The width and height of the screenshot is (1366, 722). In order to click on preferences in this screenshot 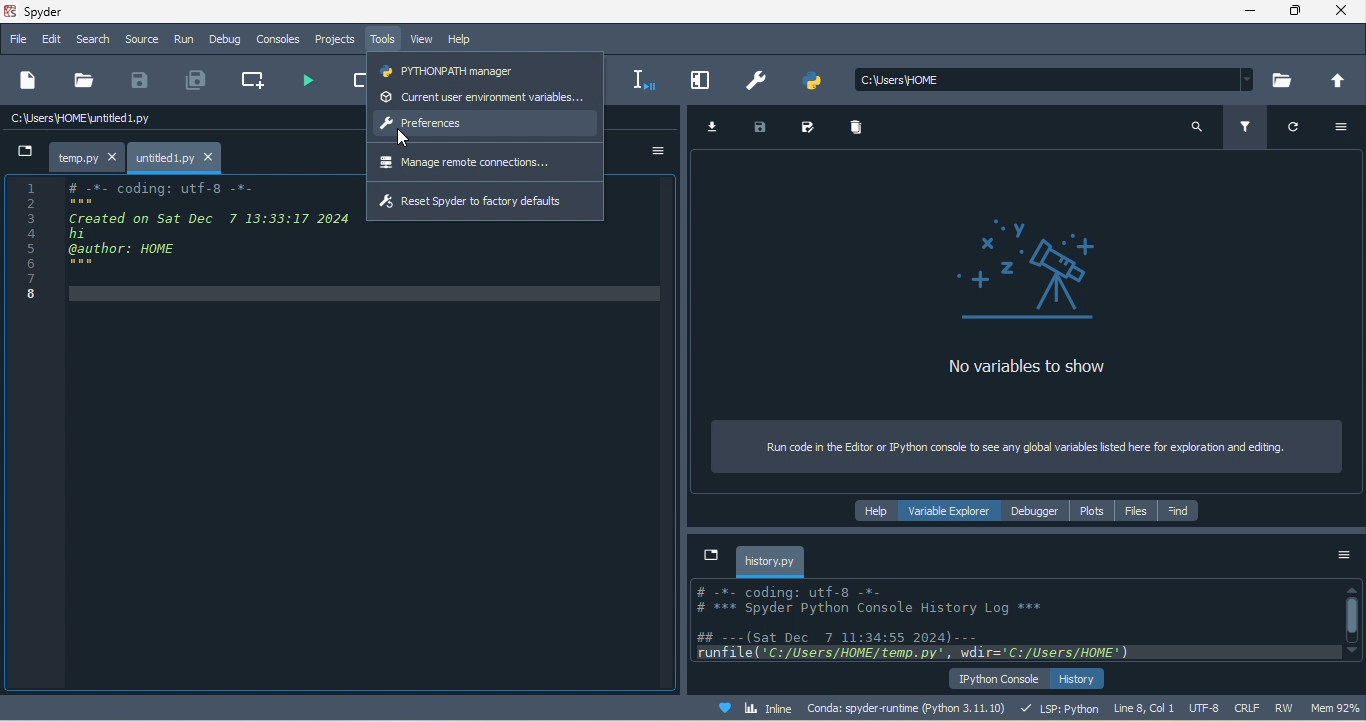, I will do `click(759, 83)`.